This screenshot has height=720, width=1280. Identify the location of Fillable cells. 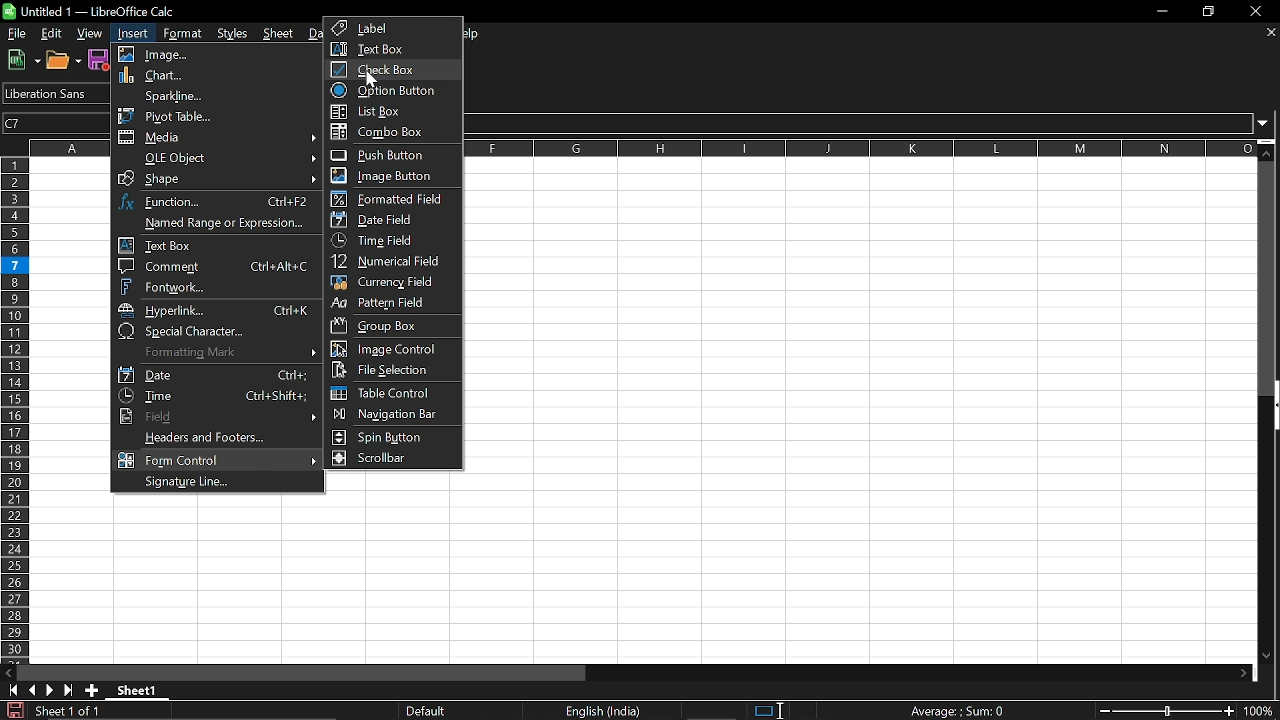
(397, 483).